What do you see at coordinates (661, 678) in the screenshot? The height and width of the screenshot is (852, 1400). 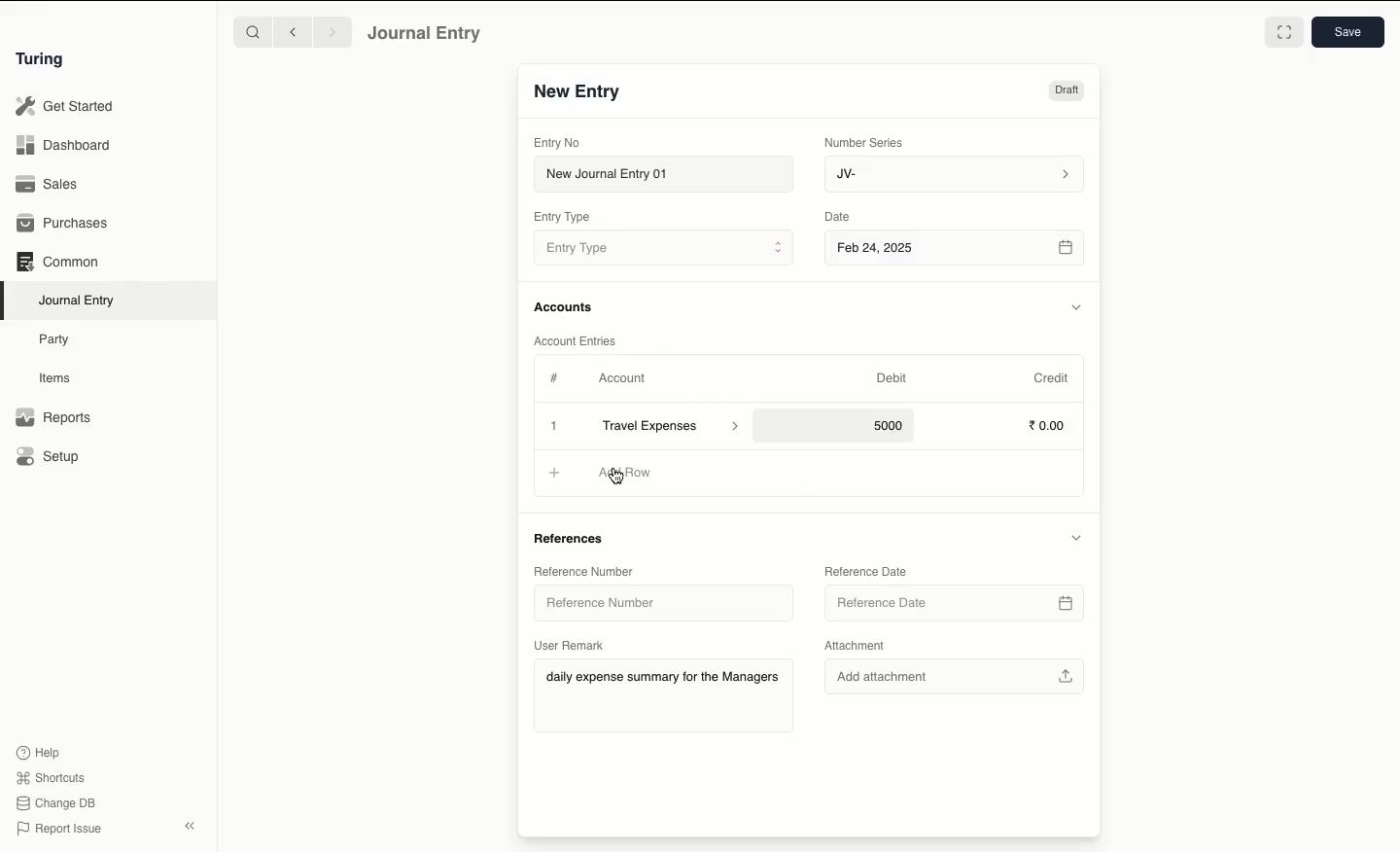 I see `daily expense summary for the Managers` at bounding box center [661, 678].